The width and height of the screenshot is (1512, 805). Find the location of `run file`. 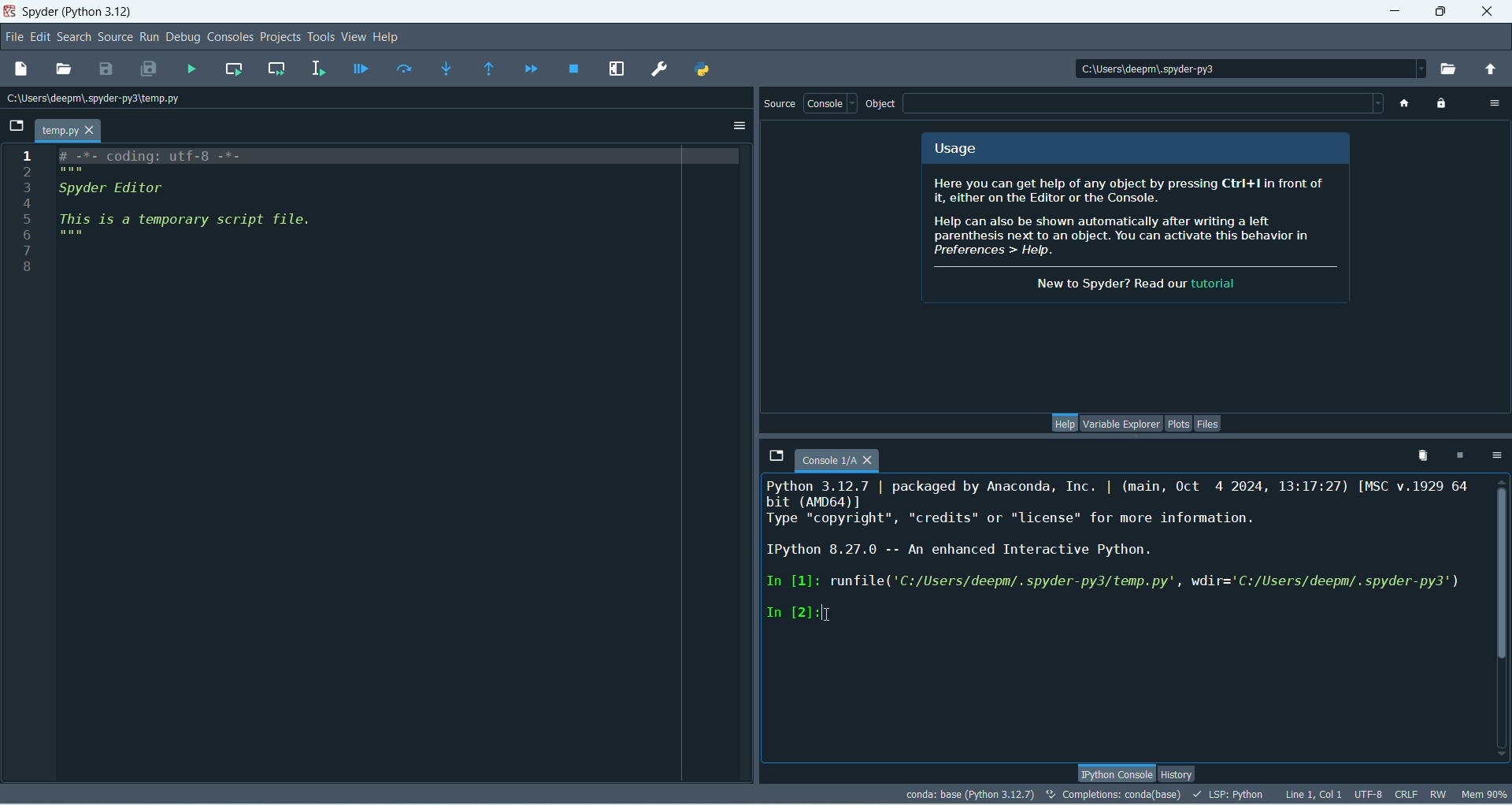

run file is located at coordinates (191, 71).